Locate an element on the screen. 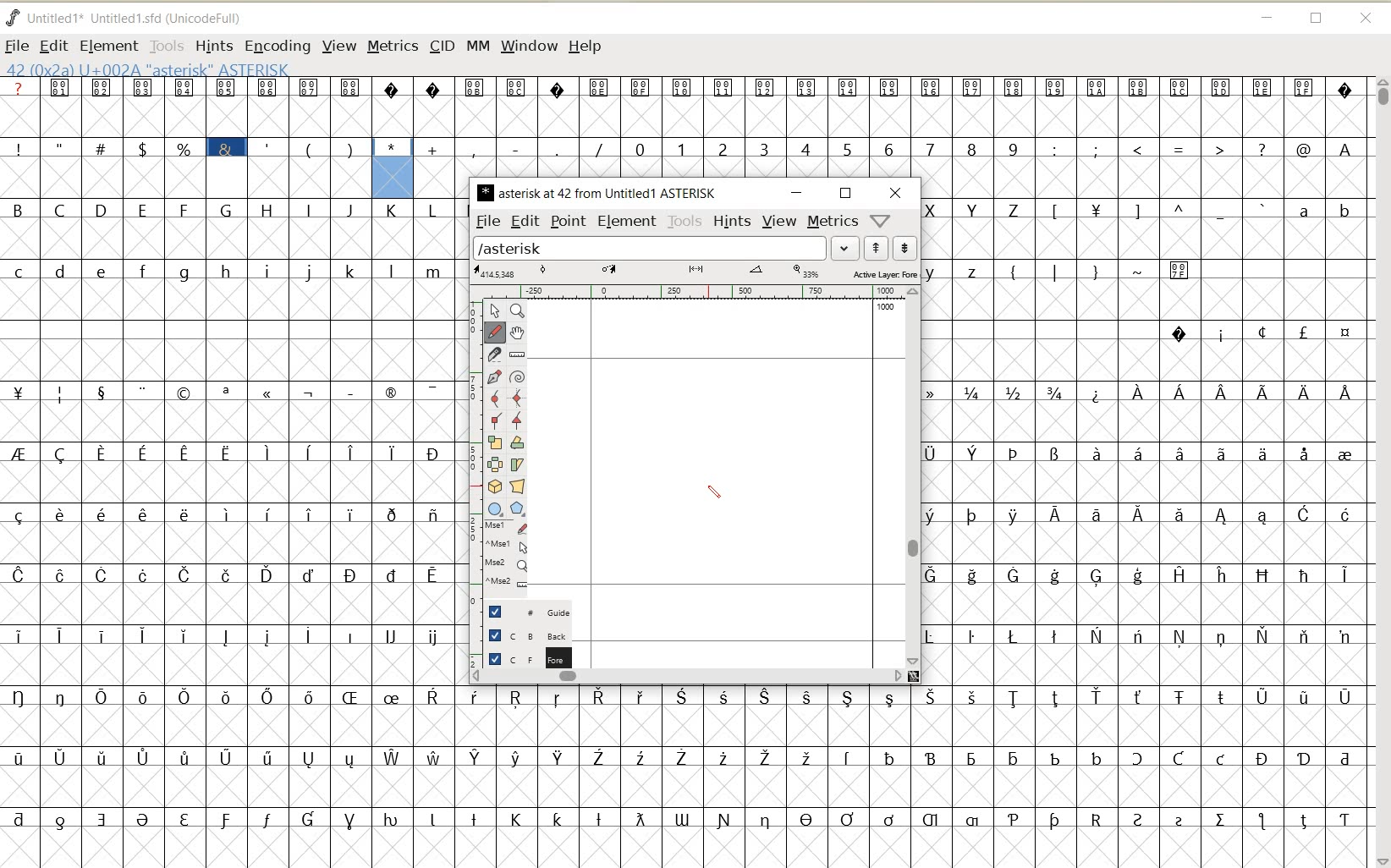  polygon or star is located at coordinates (518, 509).